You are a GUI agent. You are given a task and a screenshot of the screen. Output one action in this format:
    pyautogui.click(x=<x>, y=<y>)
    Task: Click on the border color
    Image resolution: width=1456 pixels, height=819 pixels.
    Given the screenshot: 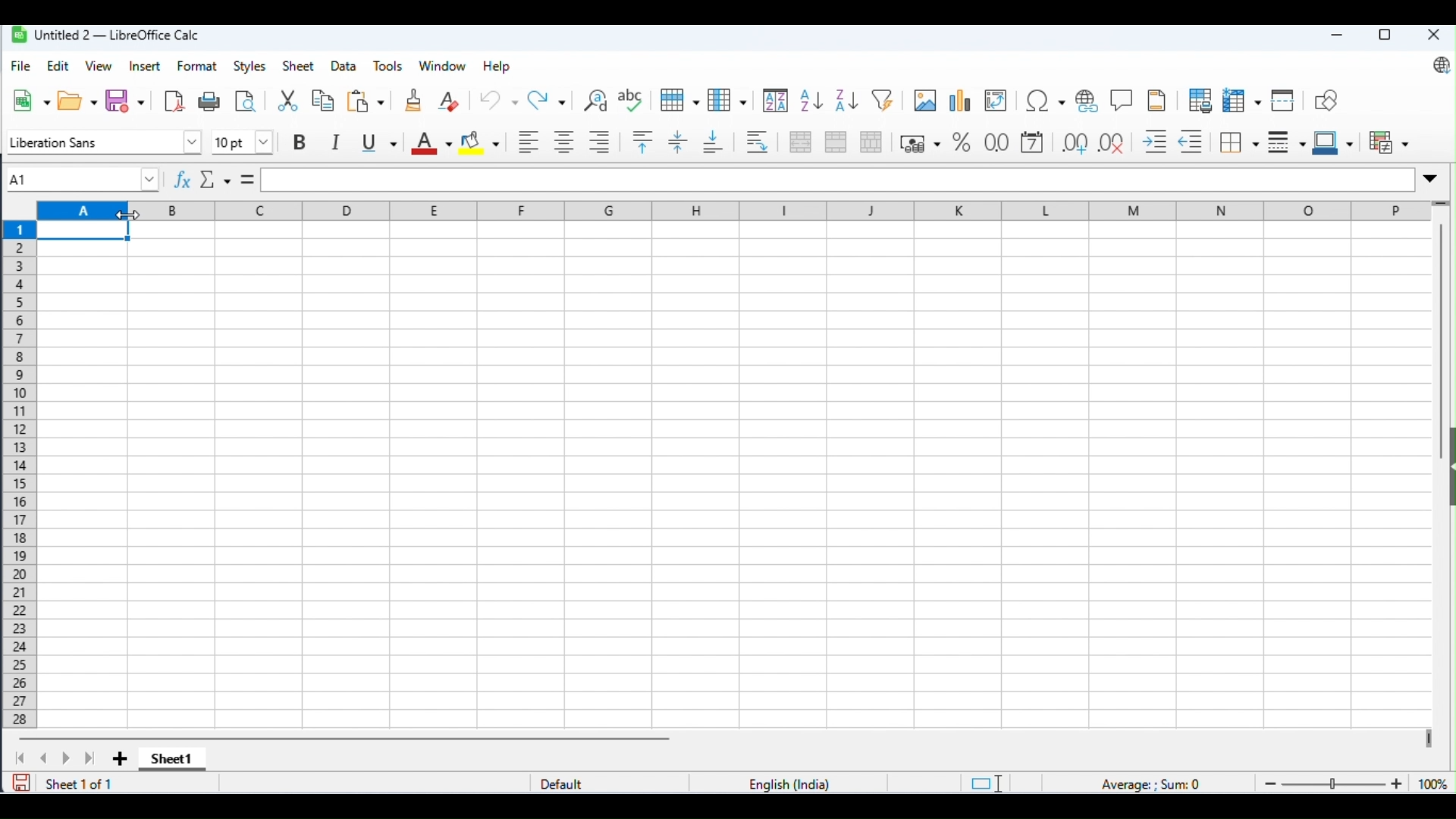 What is the action you would take?
    pyautogui.click(x=1333, y=140)
    